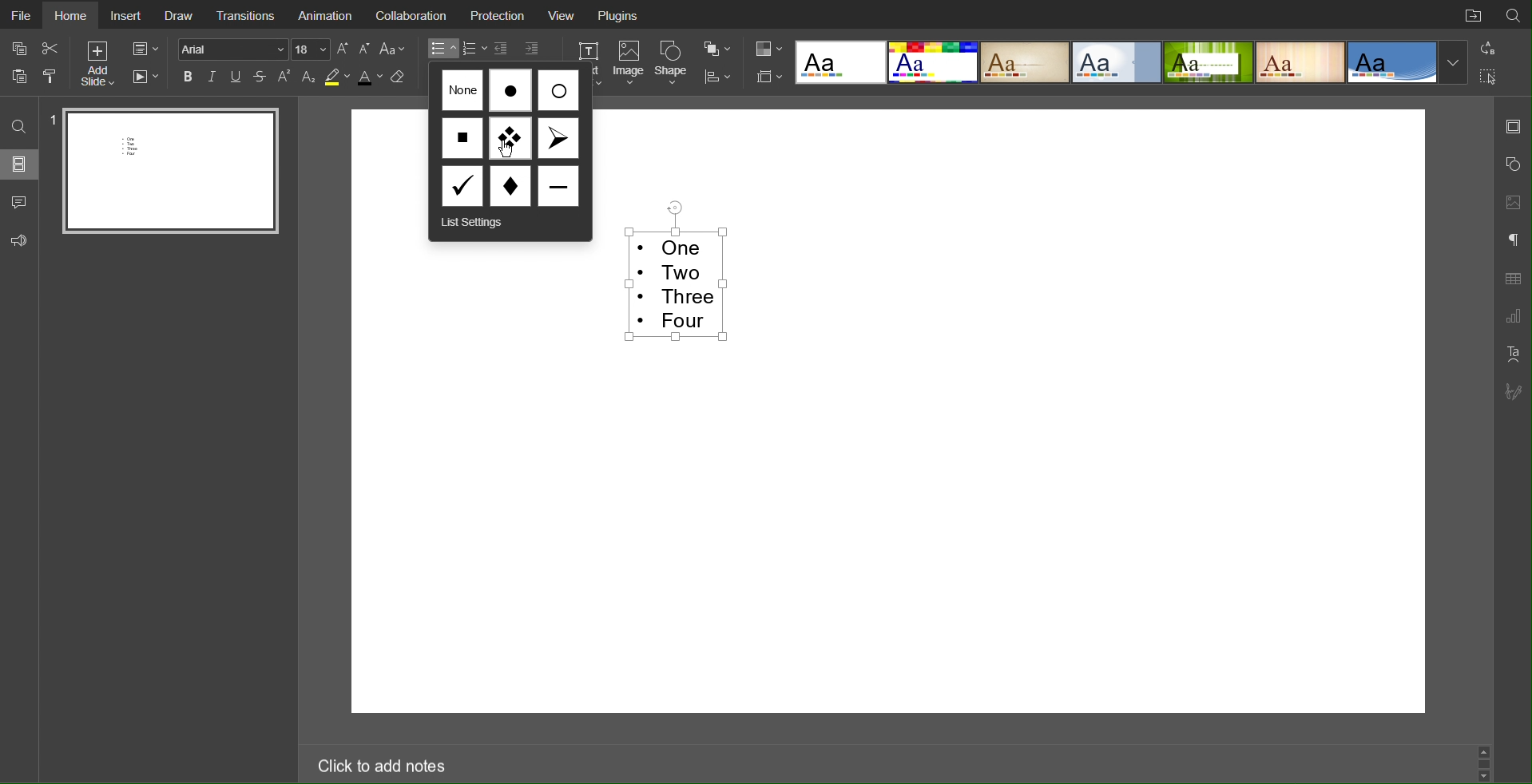 The height and width of the screenshot is (784, 1532). I want to click on Increase Font, so click(343, 49).